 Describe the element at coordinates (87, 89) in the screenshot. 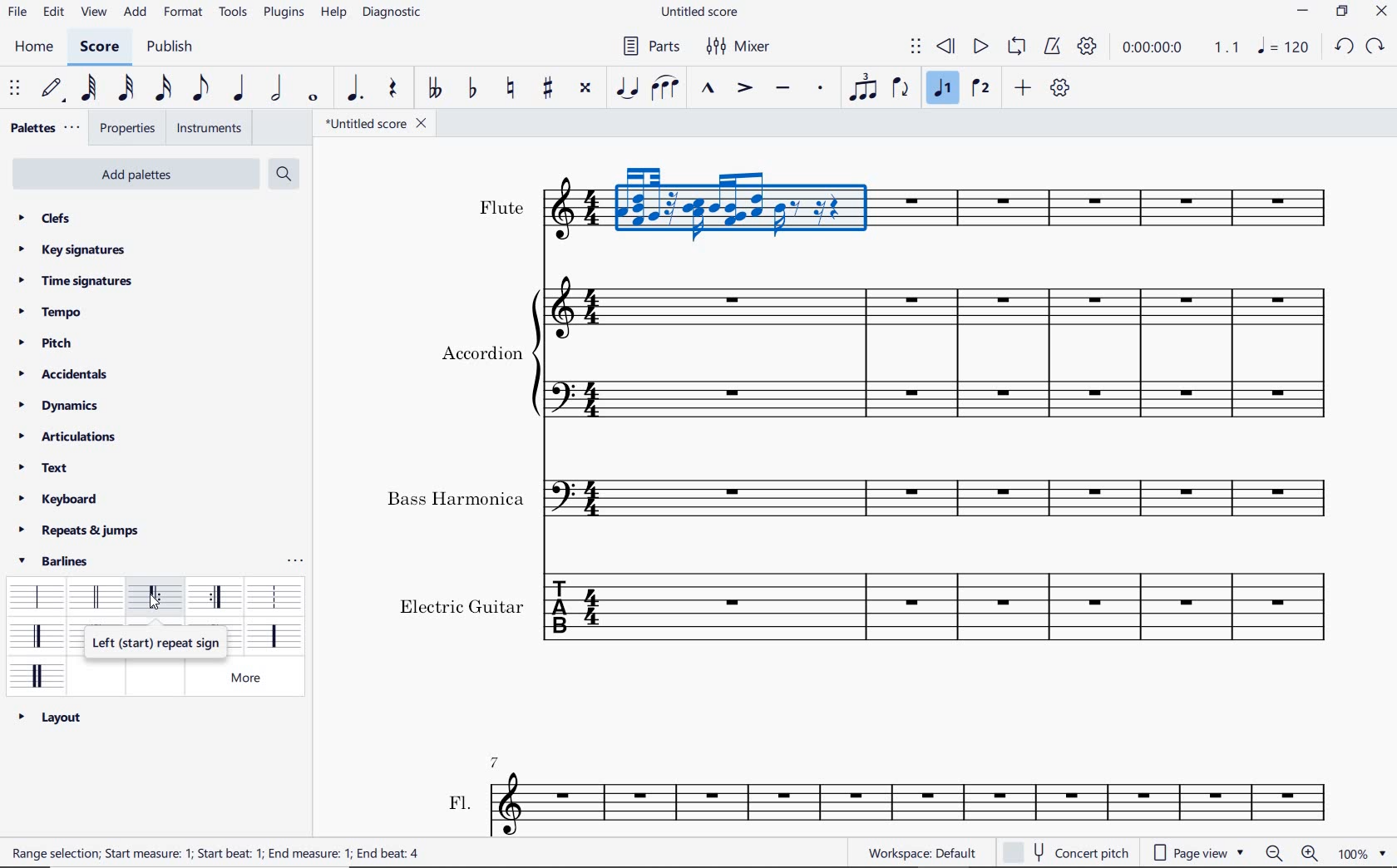

I see `64th note` at that location.